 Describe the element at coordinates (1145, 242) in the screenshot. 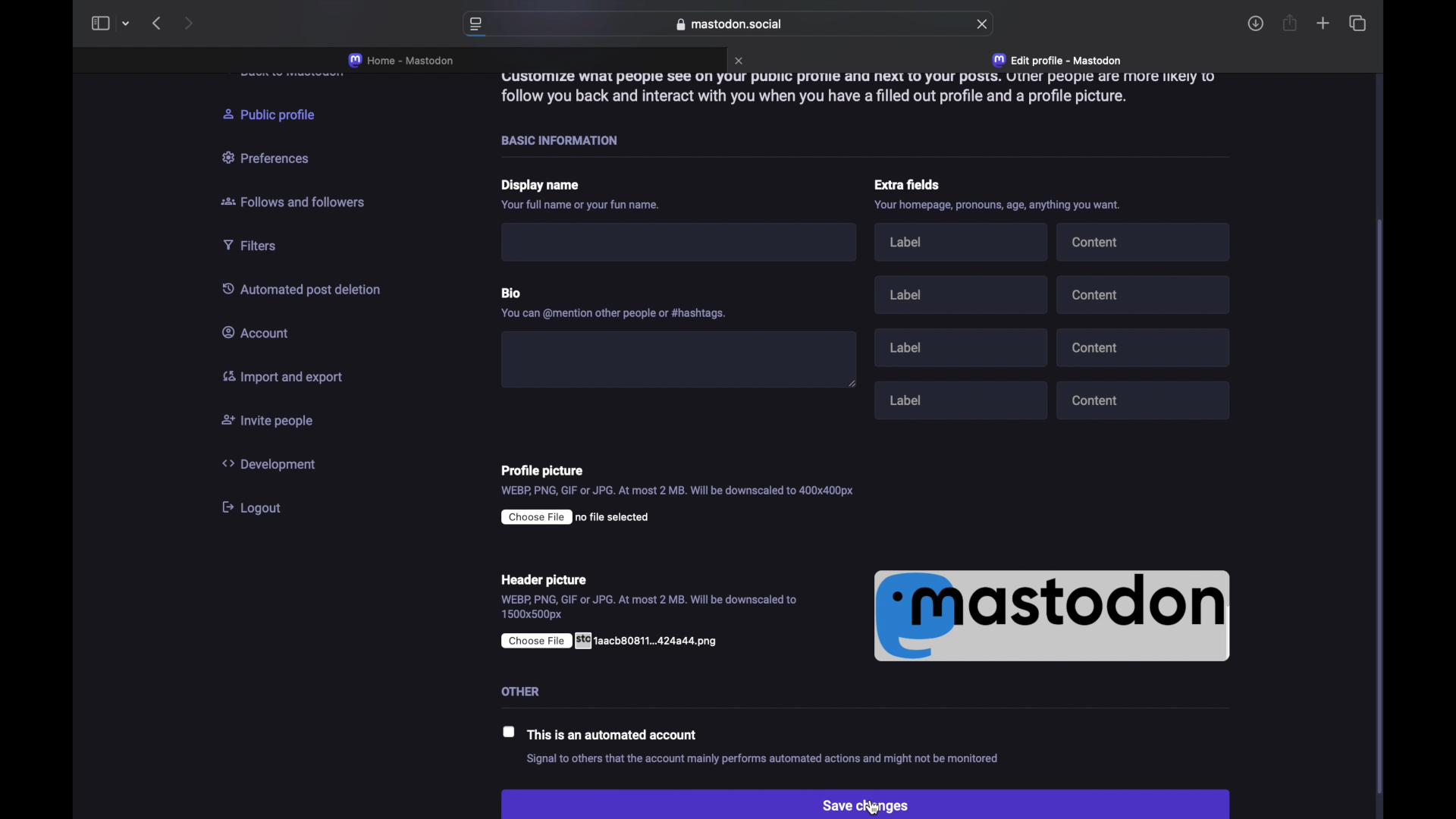

I see `content` at that location.